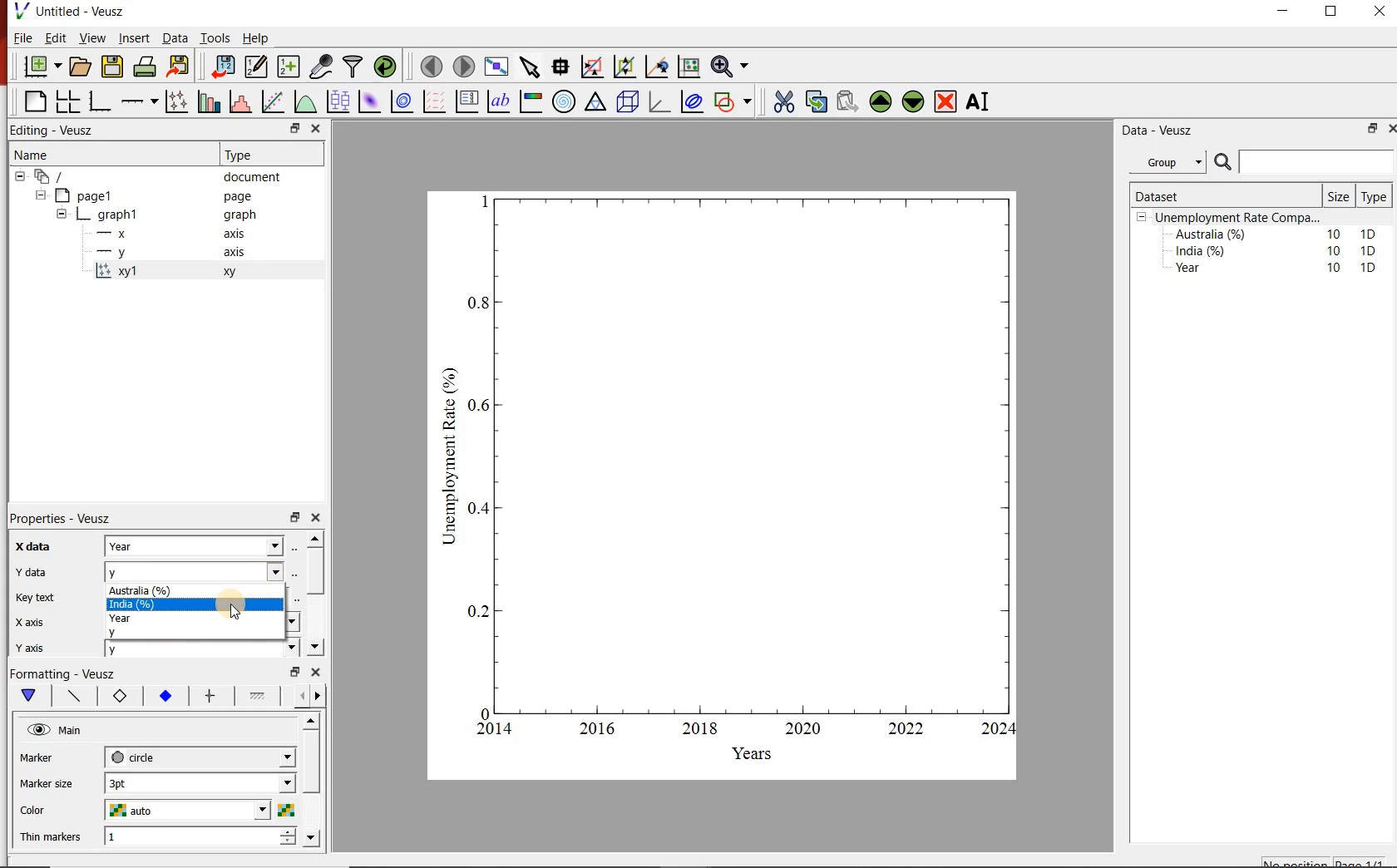 The height and width of the screenshot is (868, 1397). What do you see at coordinates (68, 10) in the screenshot?
I see `Untitled - Veusz` at bounding box center [68, 10].